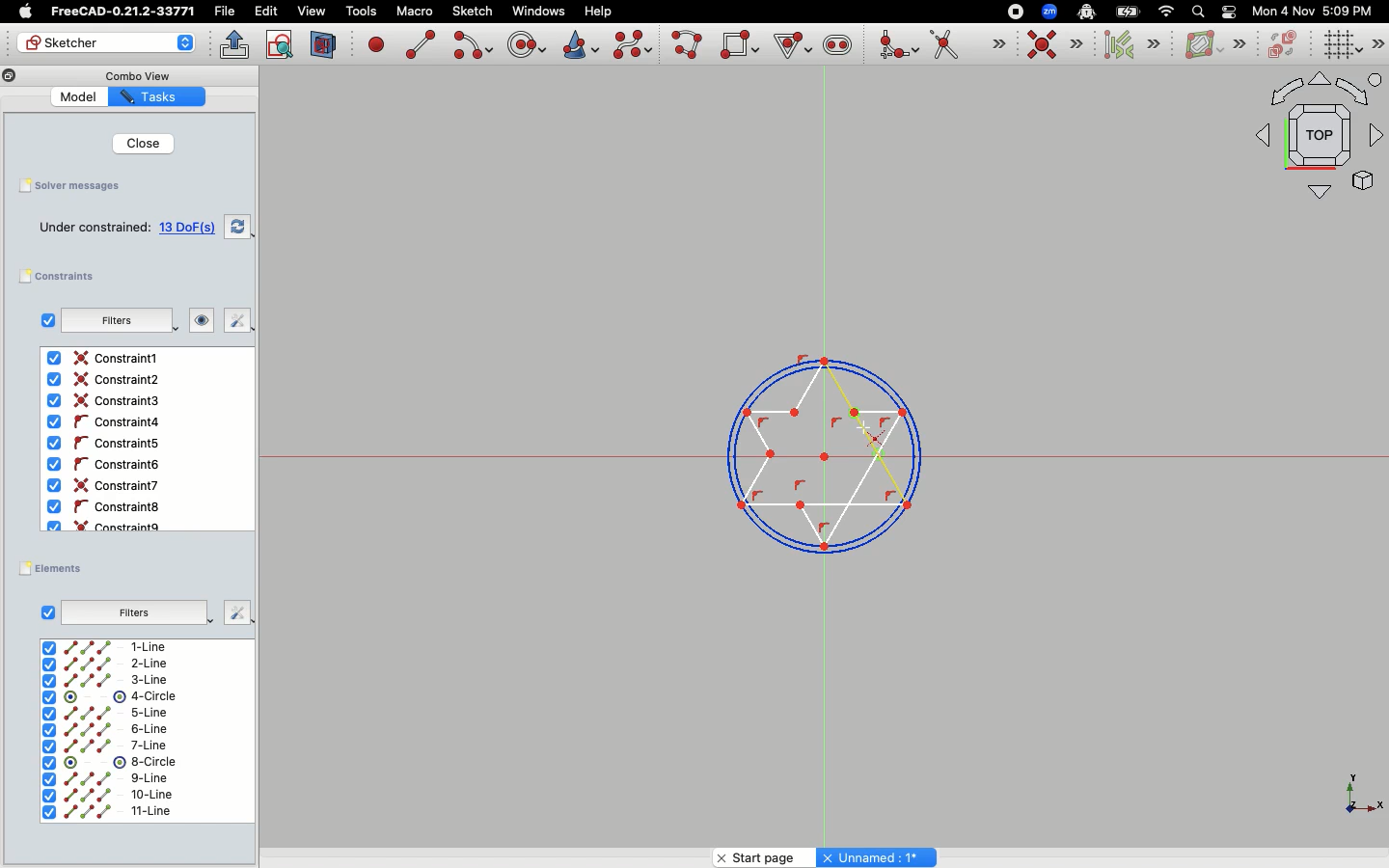 The image size is (1389, 868). What do you see at coordinates (897, 46) in the screenshot?
I see `Create fillet` at bounding box center [897, 46].